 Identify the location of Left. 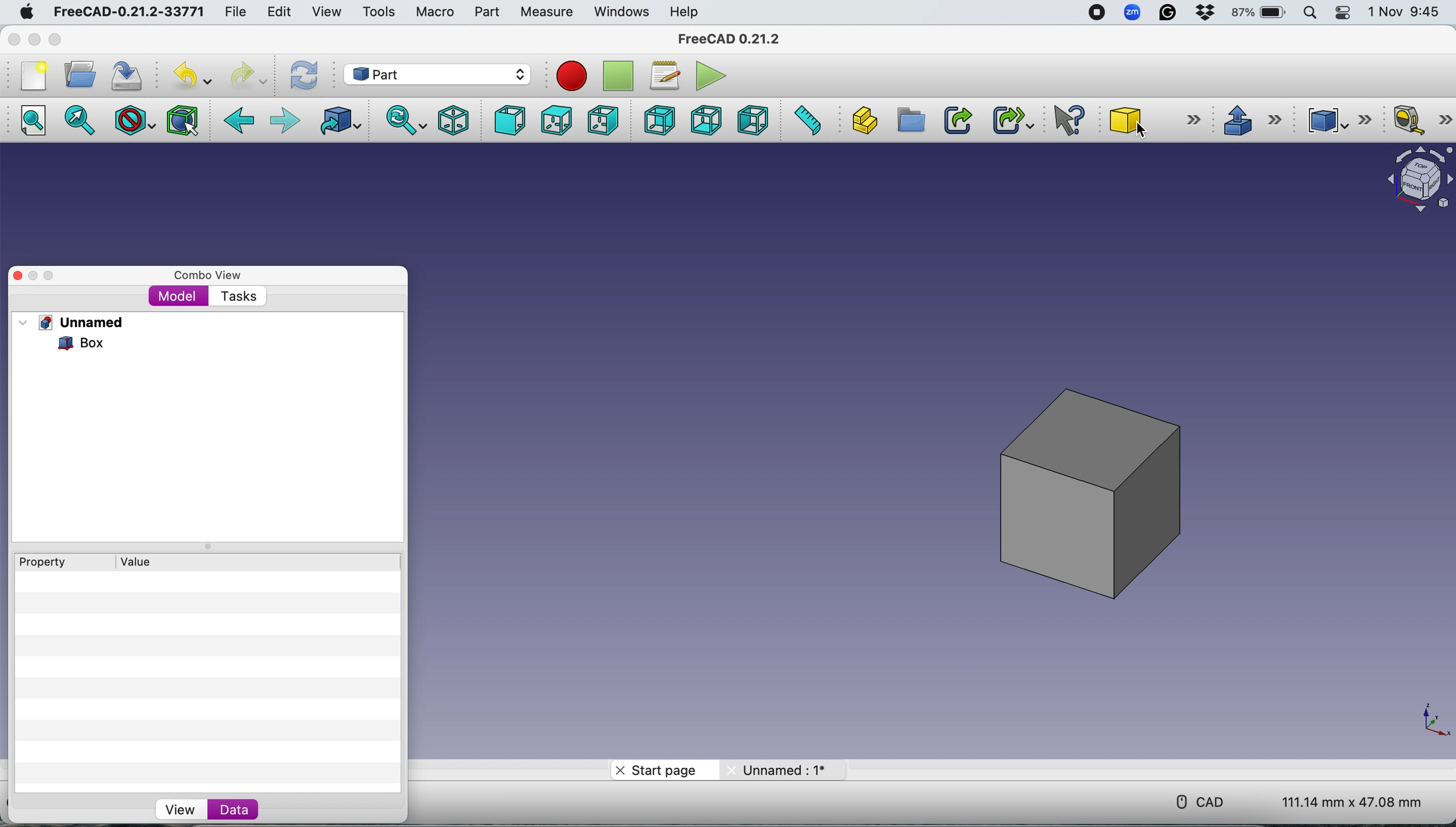
(752, 120).